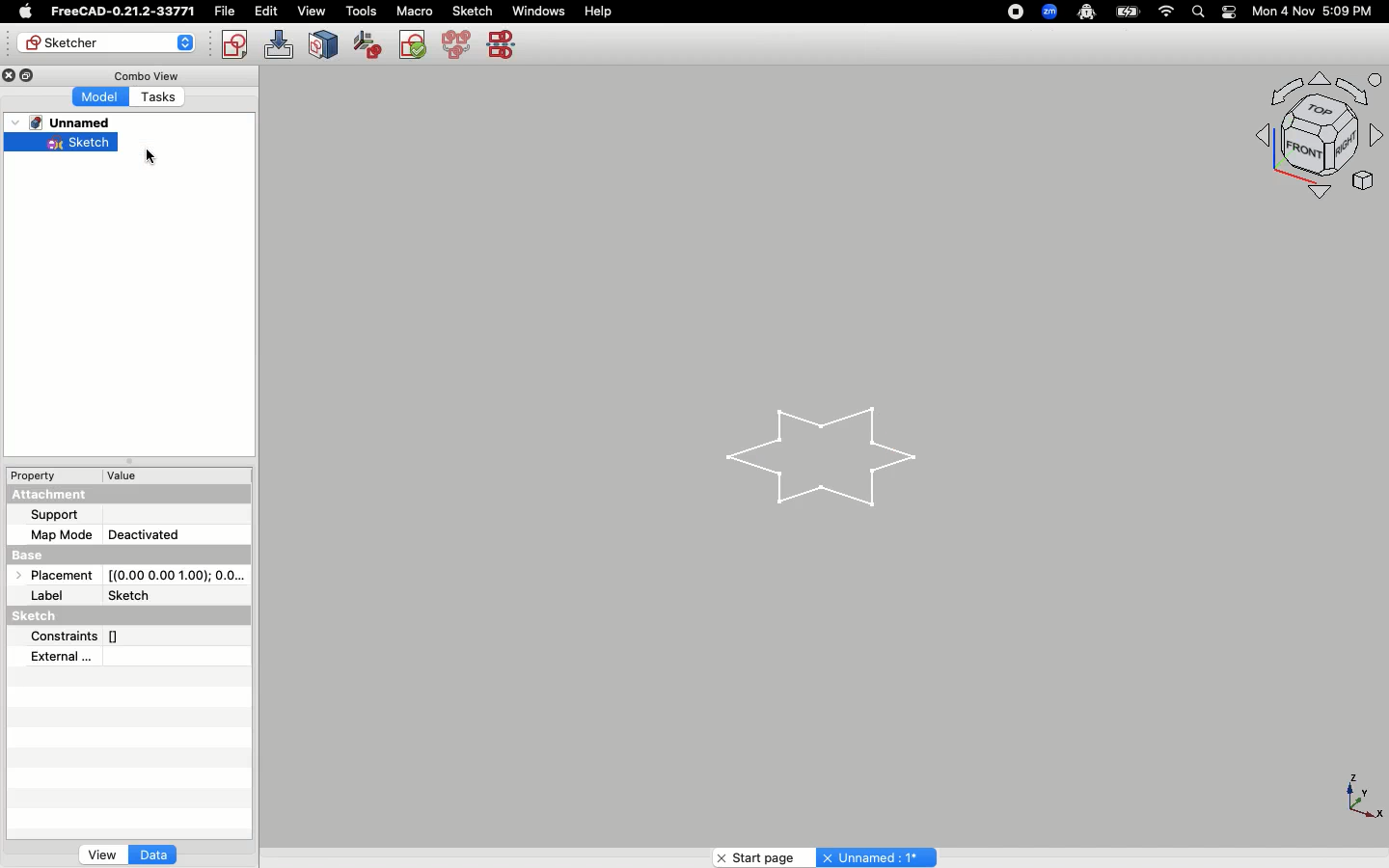 The width and height of the screenshot is (1389, 868). What do you see at coordinates (131, 594) in the screenshot?
I see `Sketch` at bounding box center [131, 594].